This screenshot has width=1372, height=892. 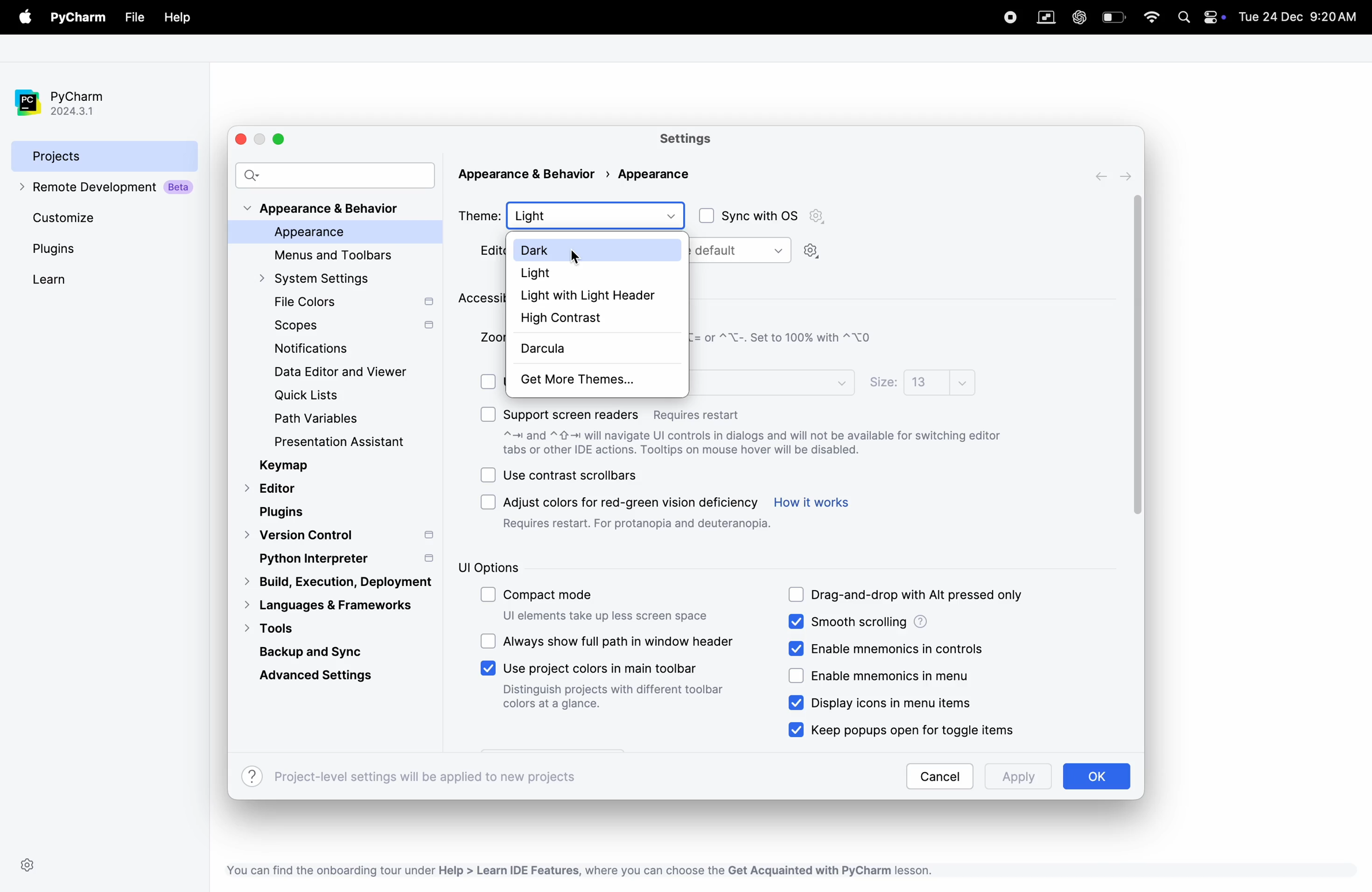 I want to click on projects, so click(x=105, y=155).